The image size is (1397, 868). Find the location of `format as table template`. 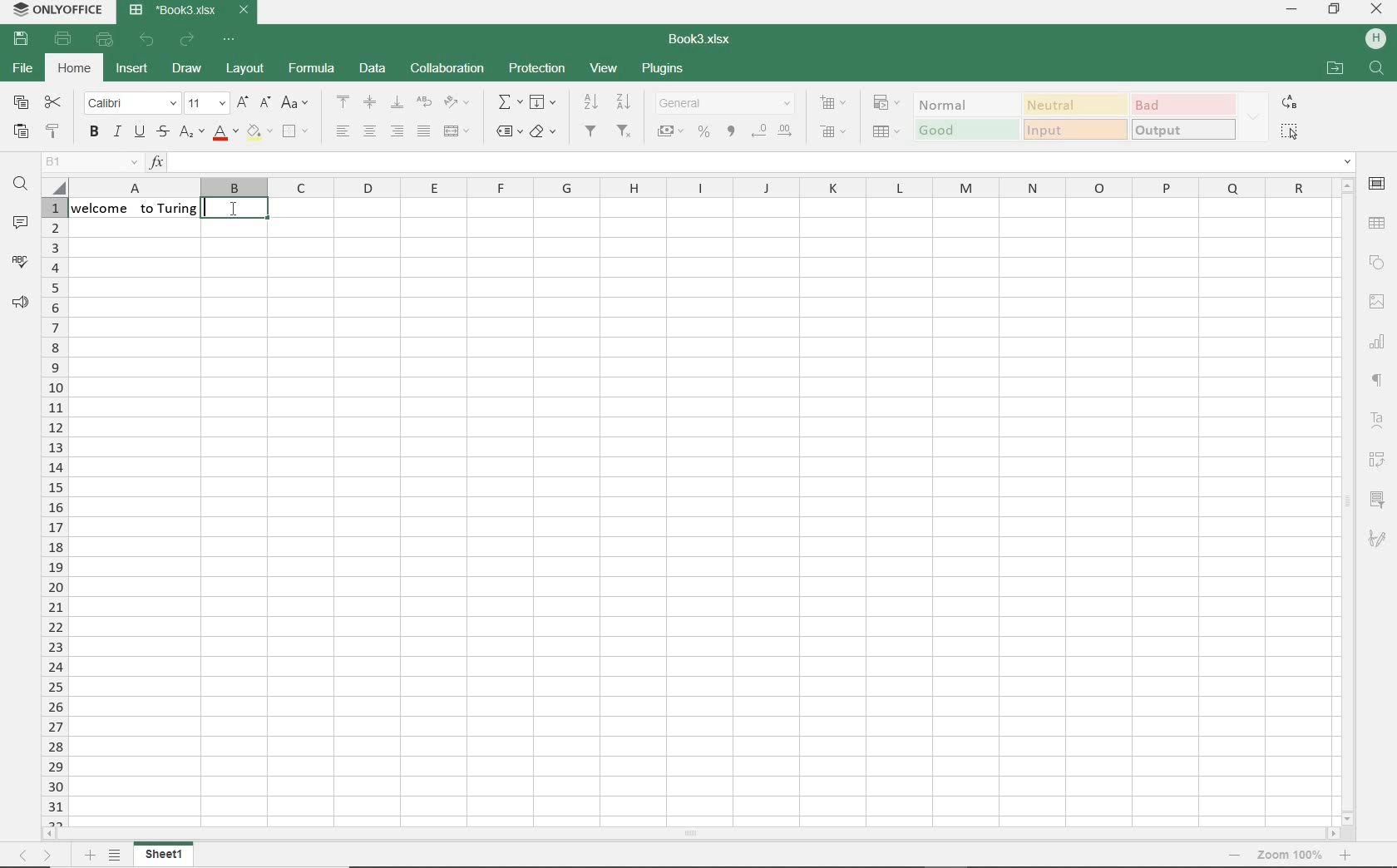

format as table template is located at coordinates (886, 132).